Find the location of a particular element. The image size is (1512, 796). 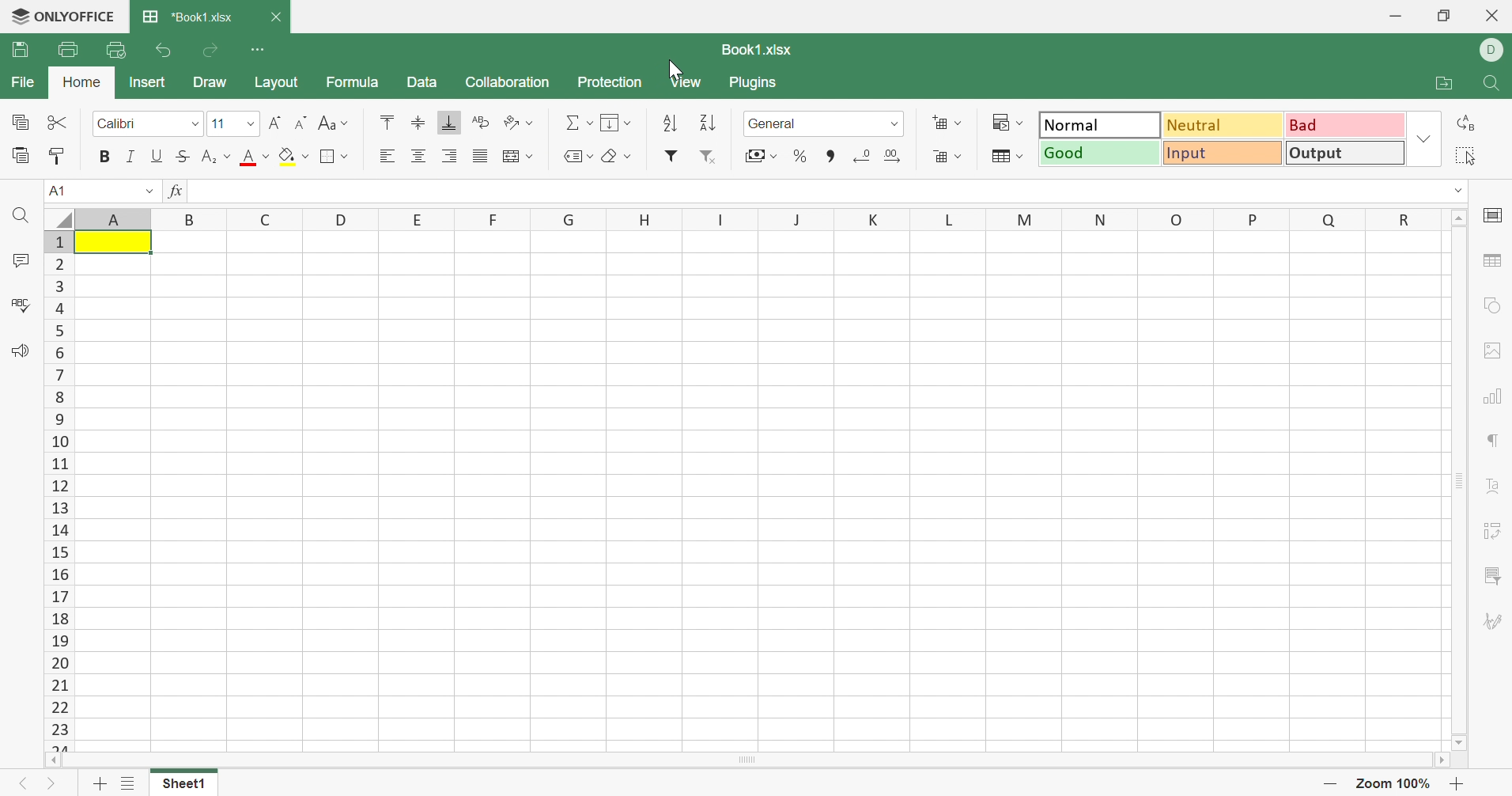

Scroll Bar is located at coordinates (1460, 479).